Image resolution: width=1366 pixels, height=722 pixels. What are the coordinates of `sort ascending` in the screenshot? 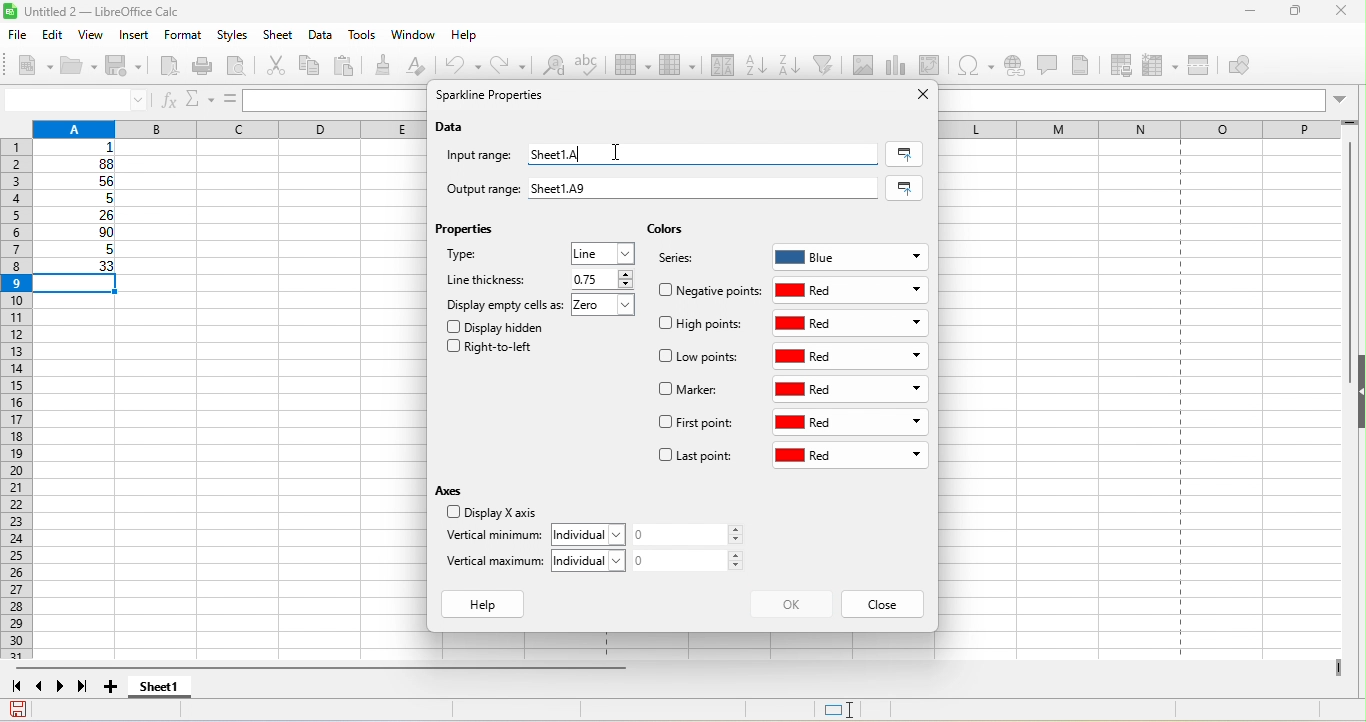 It's located at (756, 63).